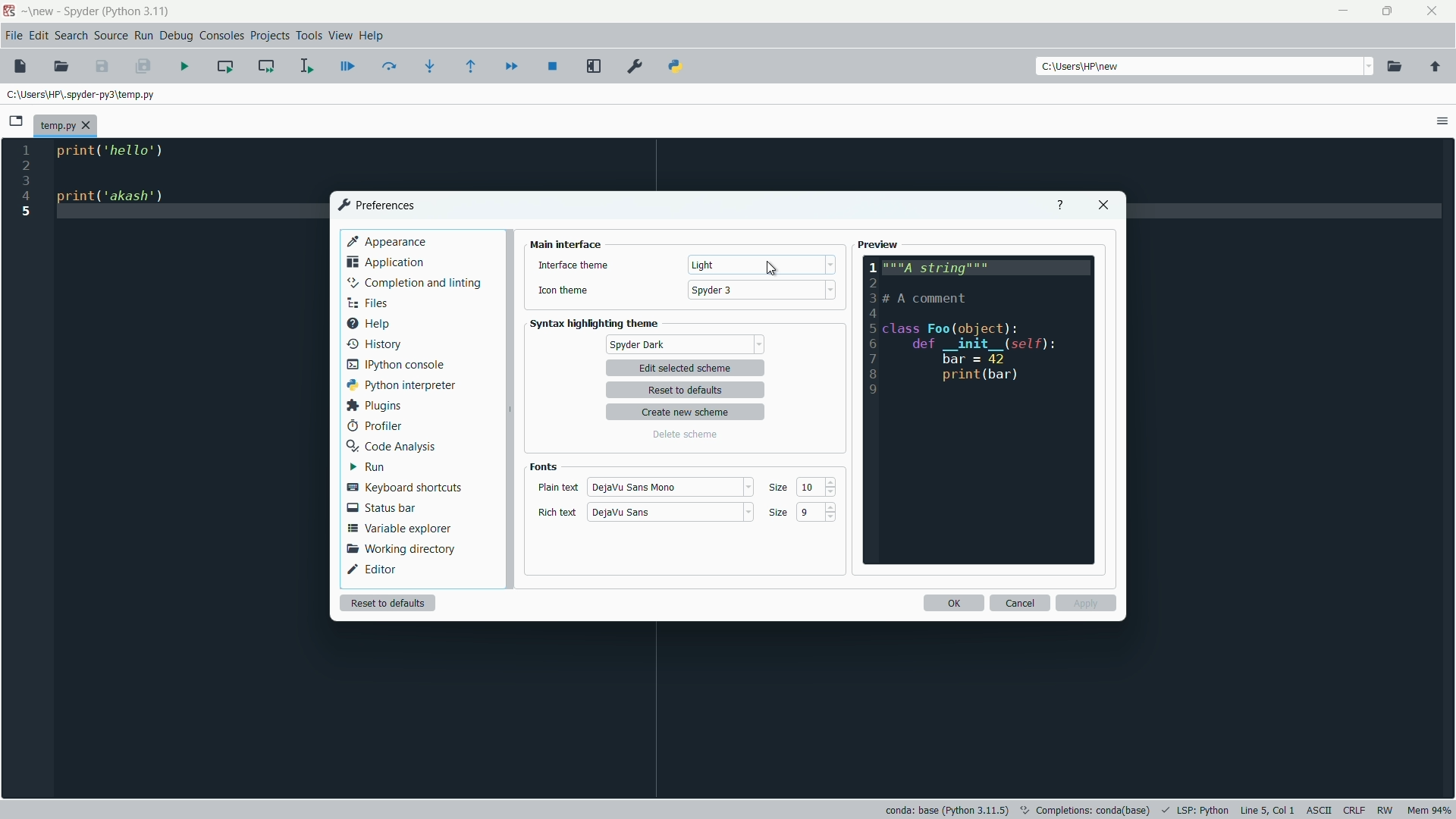 This screenshot has height=819, width=1456. What do you see at coordinates (946, 810) in the screenshot?
I see `interpreter` at bounding box center [946, 810].